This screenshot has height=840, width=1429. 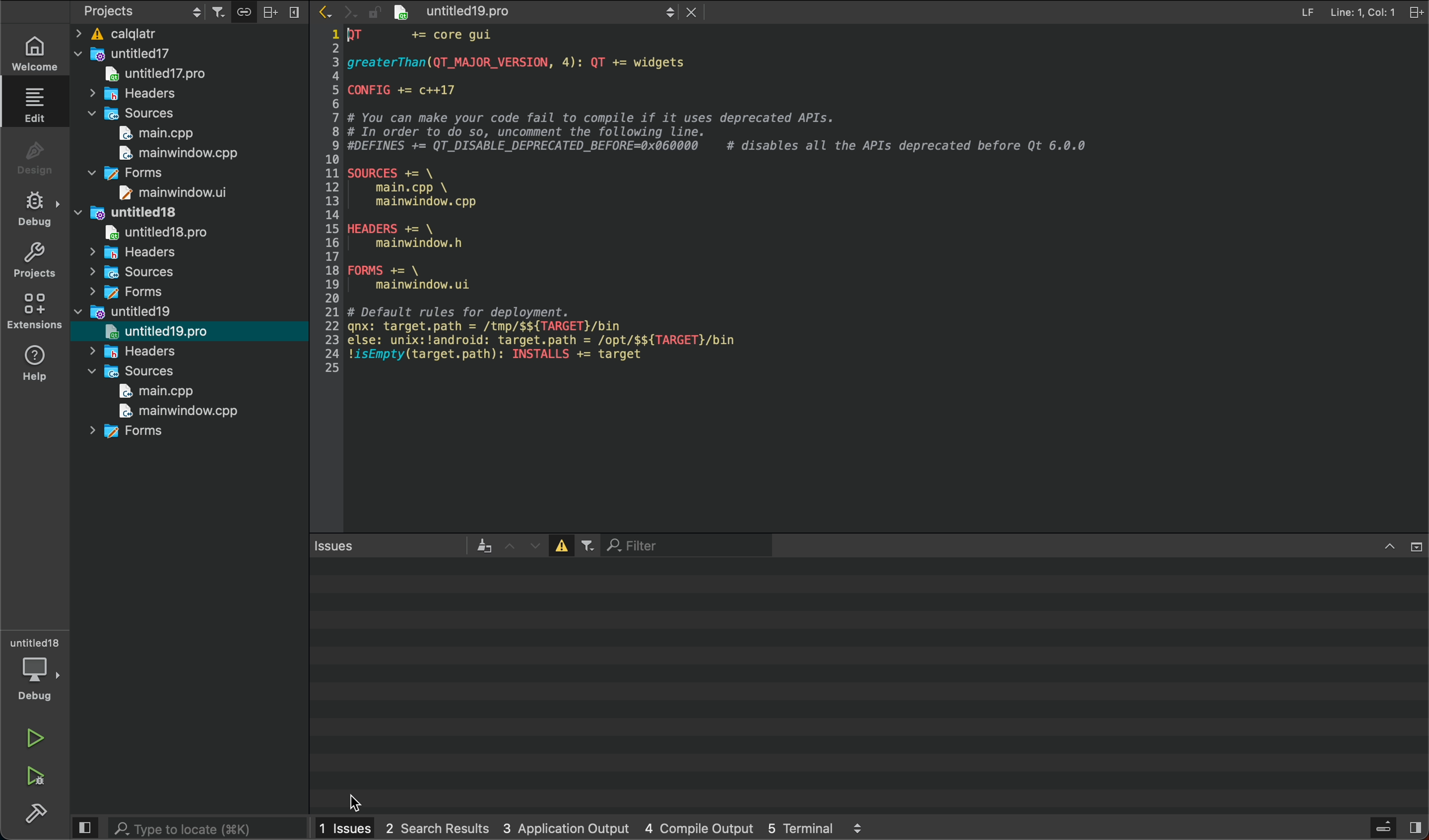 What do you see at coordinates (155, 234) in the screenshot?
I see `untitled18.pro` at bounding box center [155, 234].